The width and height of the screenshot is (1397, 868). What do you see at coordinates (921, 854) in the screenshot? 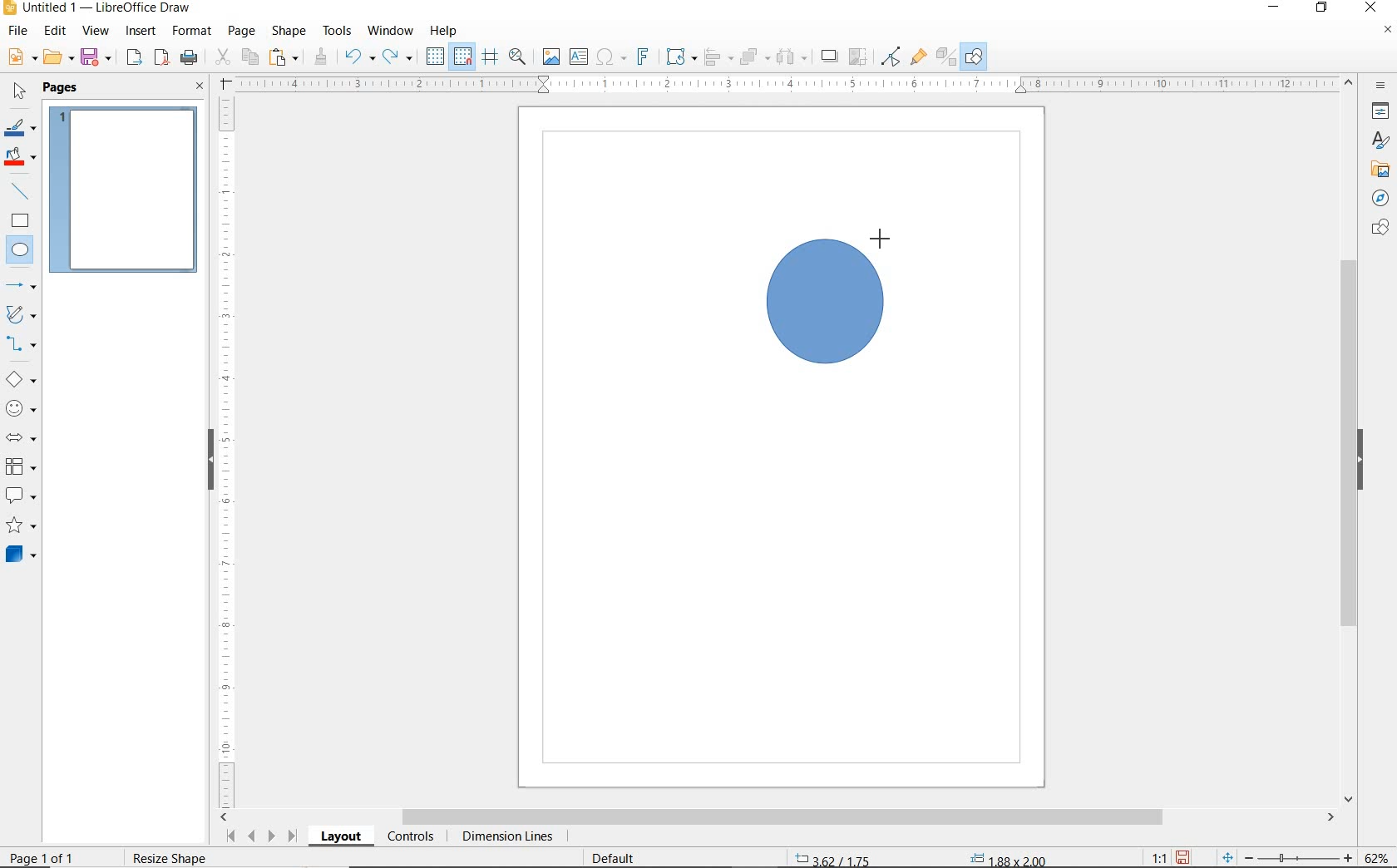
I see `STANDARD SELECTION` at bounding box center [921, 854].